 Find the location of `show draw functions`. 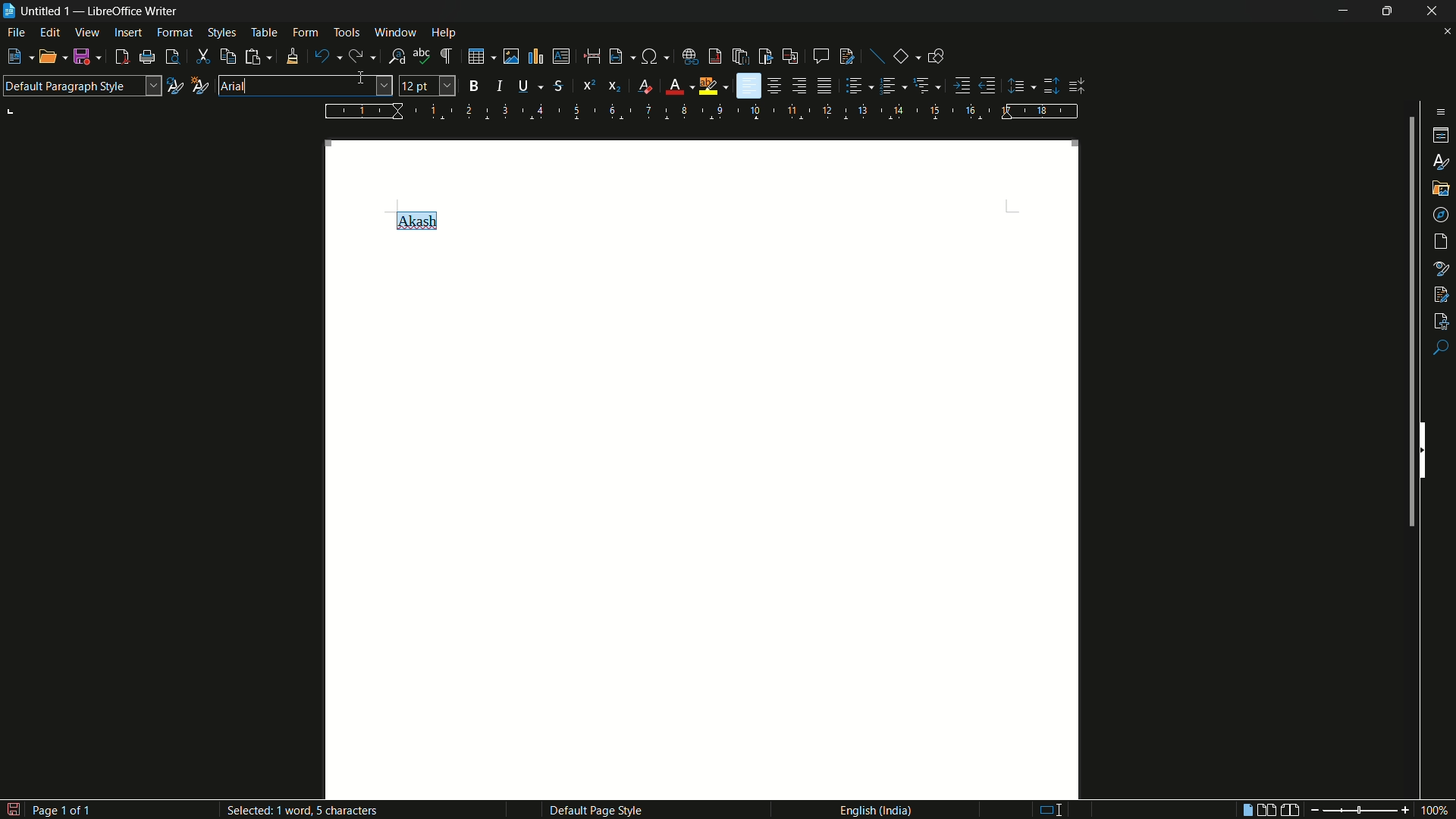

show draw functions is located at coordinates (936, 55).